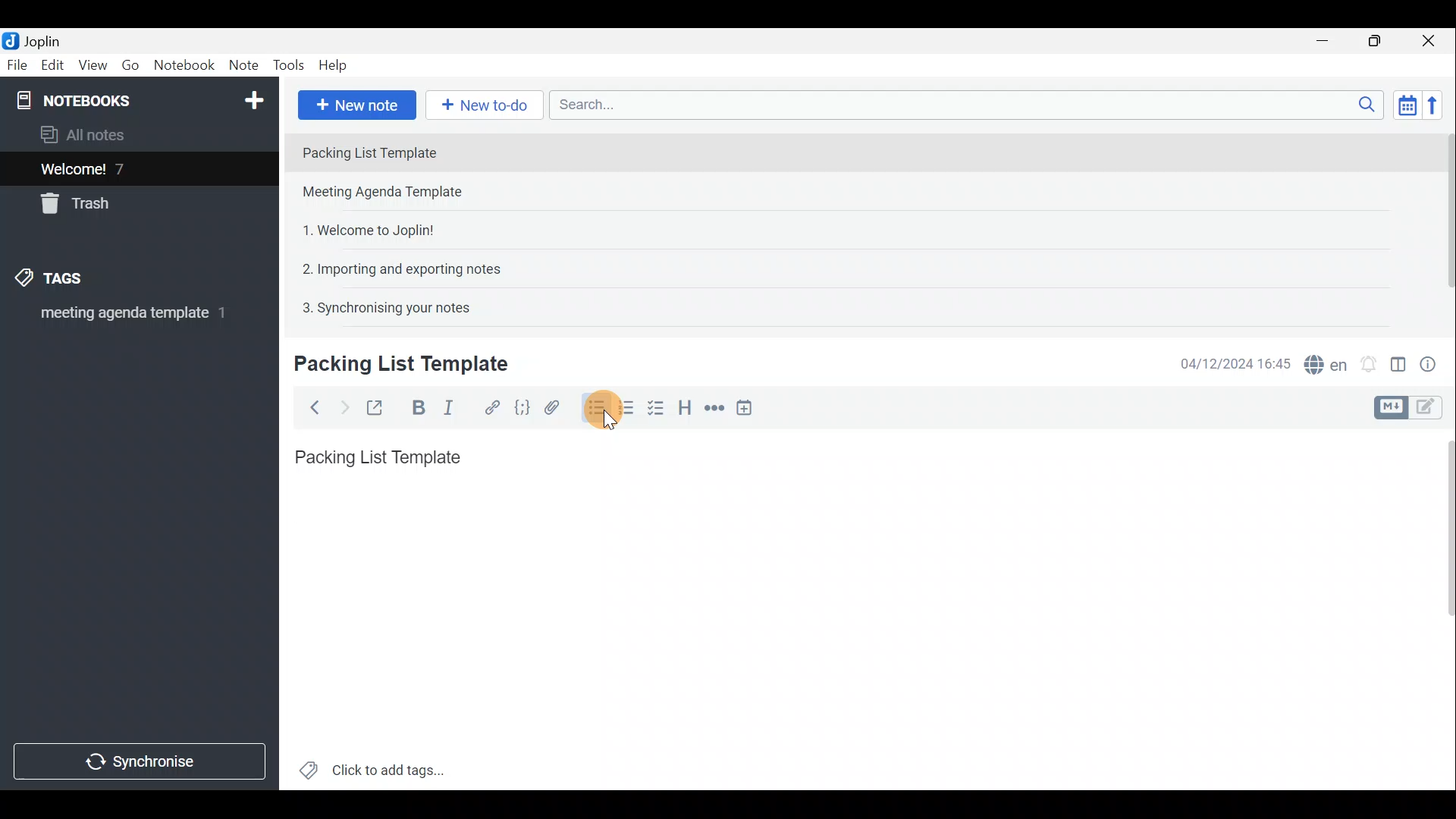  I want to click on Toggle editor layout, so click(1398, 359).